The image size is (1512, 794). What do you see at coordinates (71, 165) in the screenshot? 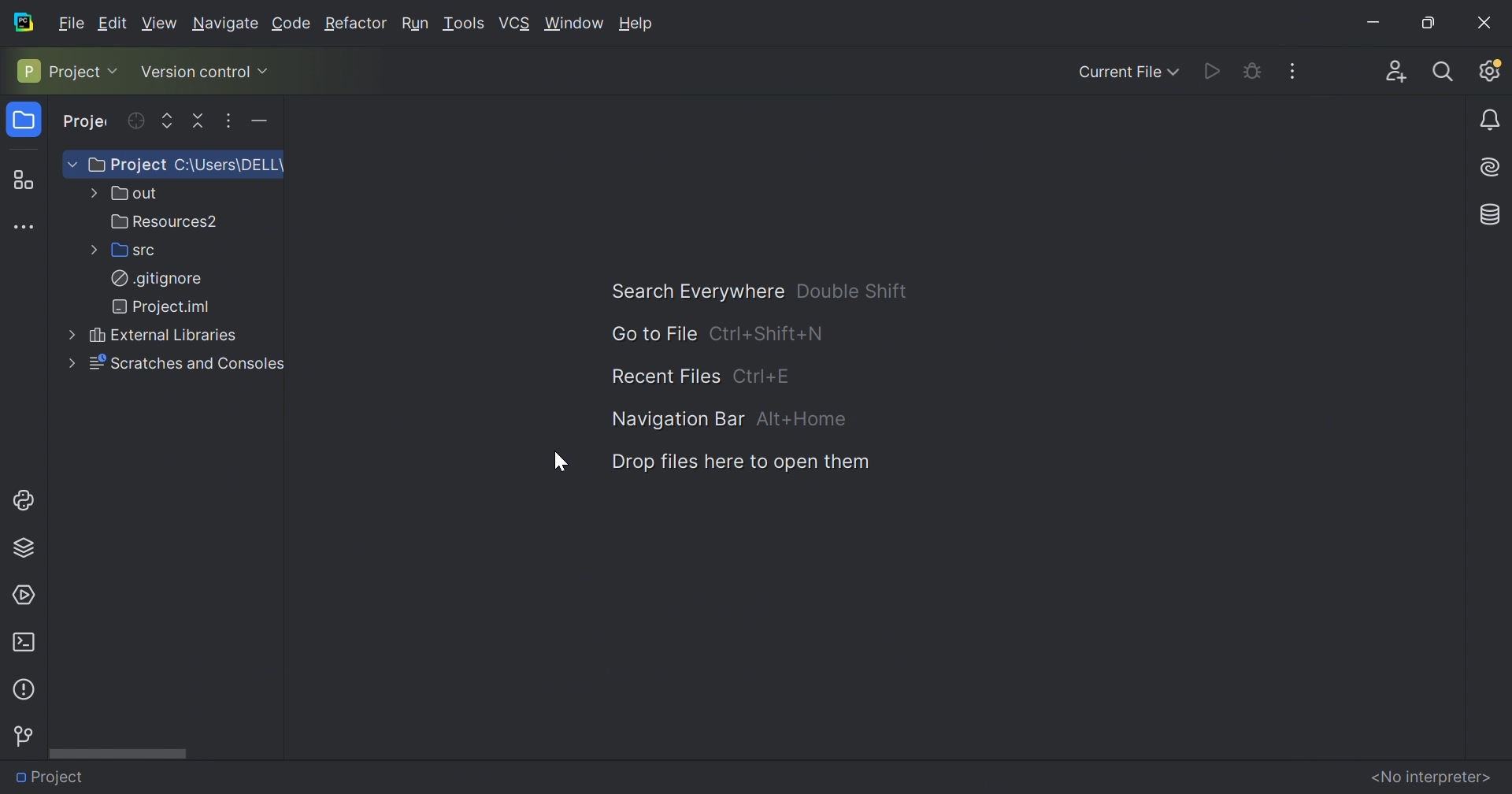
I see `Drop Down` at bounding box center [71, 165].